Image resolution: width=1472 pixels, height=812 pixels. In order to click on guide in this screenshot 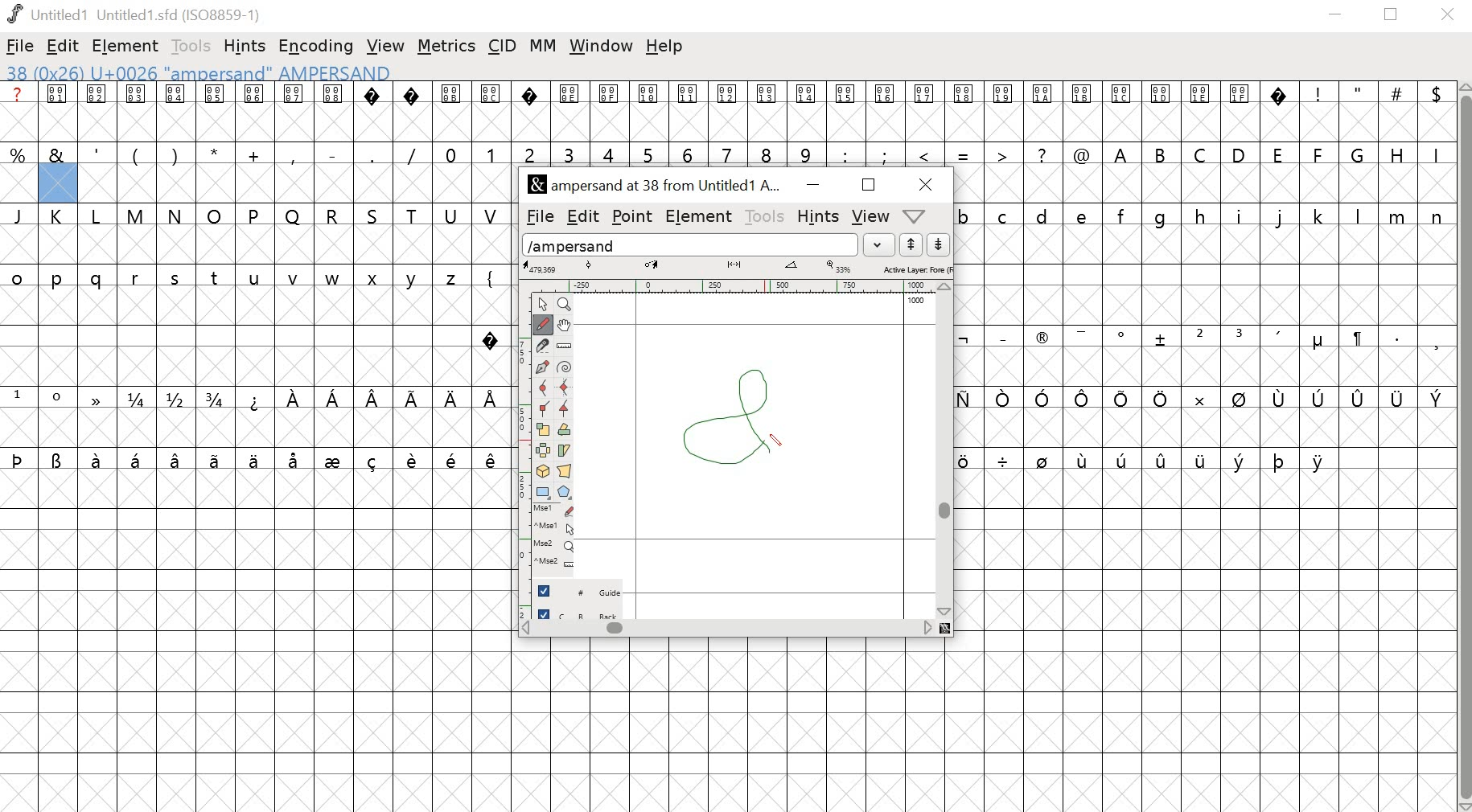, I will do `click(916, 301)`.